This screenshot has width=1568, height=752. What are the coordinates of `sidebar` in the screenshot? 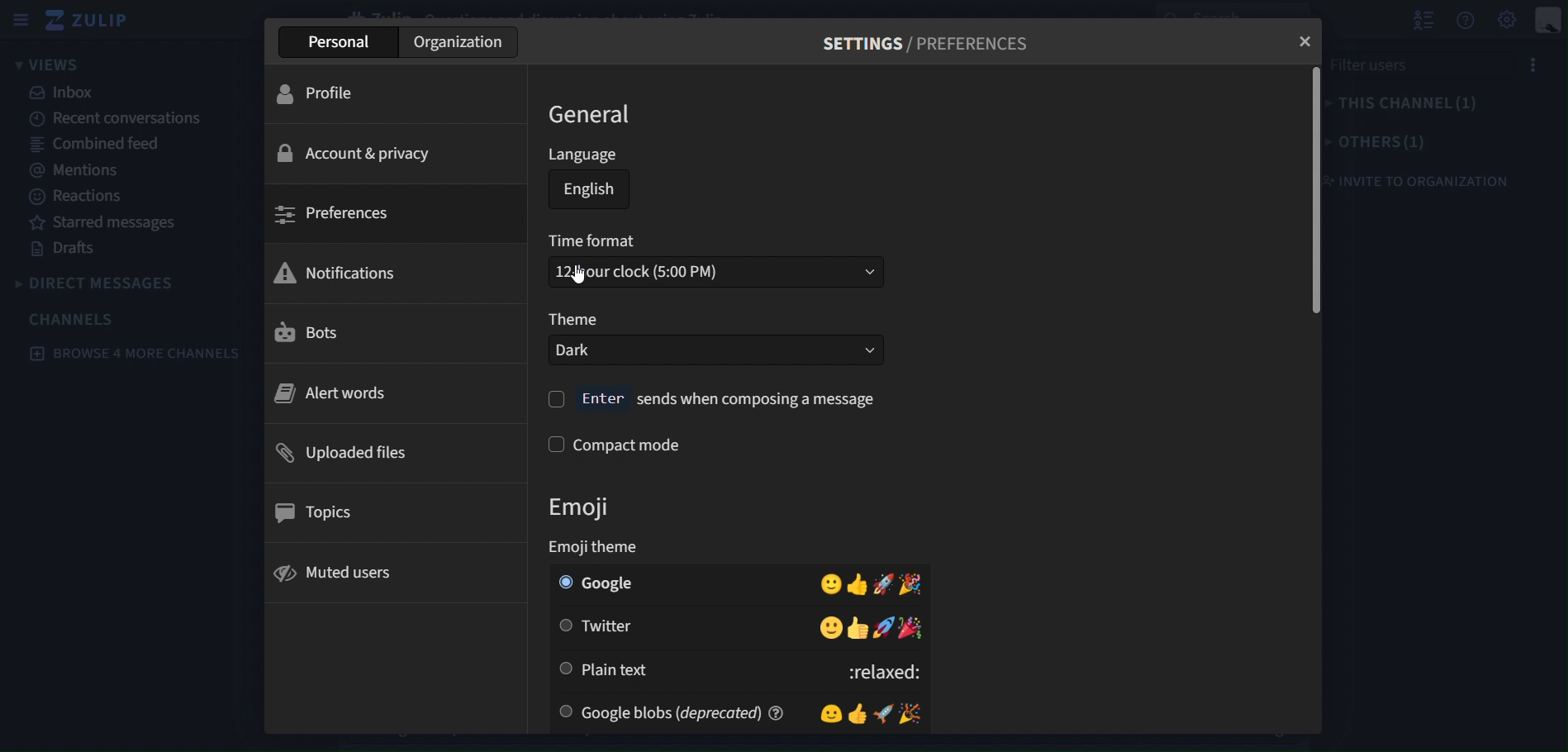 It's located at (21, 22).